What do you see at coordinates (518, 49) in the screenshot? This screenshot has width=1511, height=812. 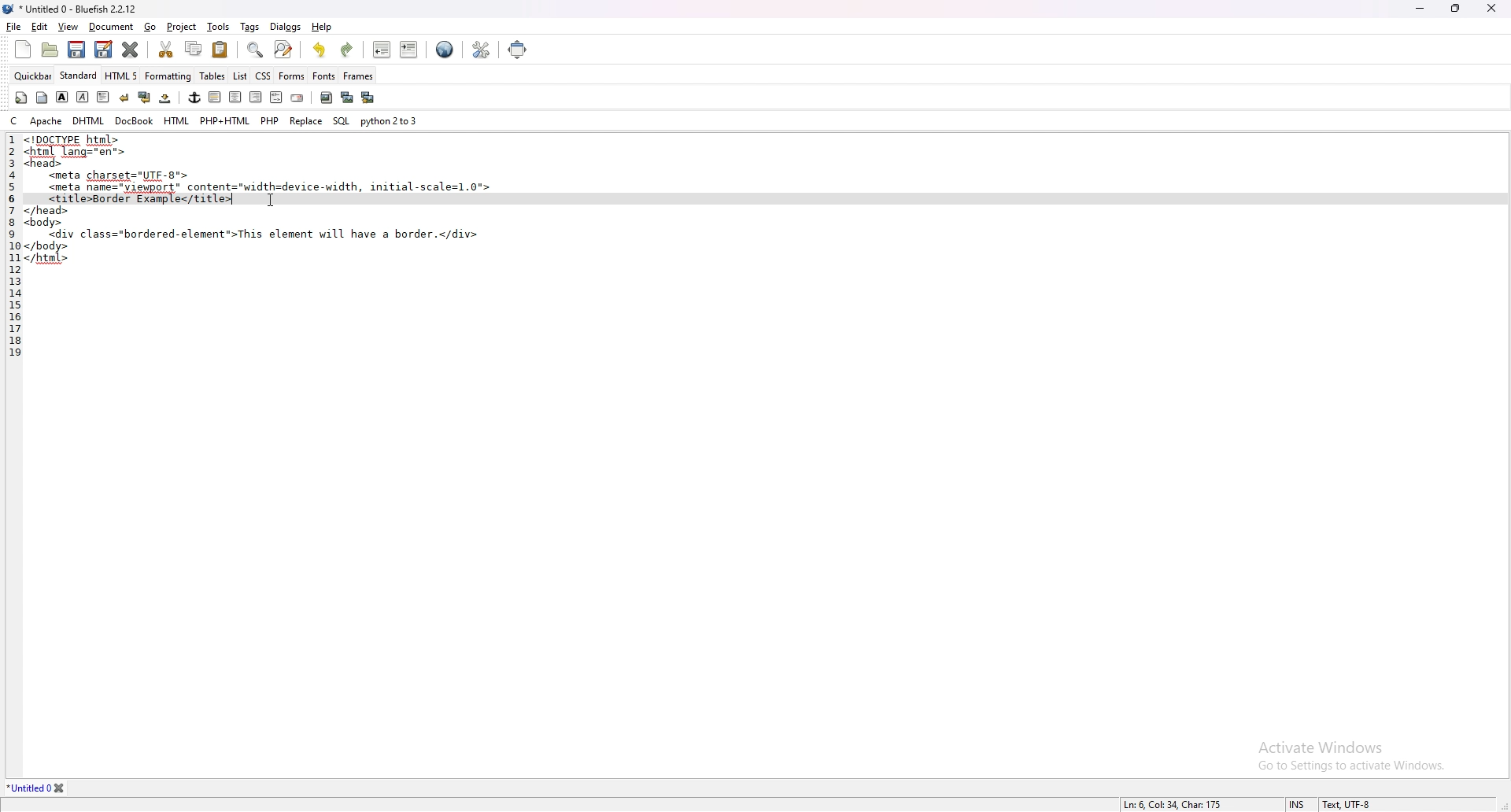 I see `full screen` at bounding box center [518, 49].